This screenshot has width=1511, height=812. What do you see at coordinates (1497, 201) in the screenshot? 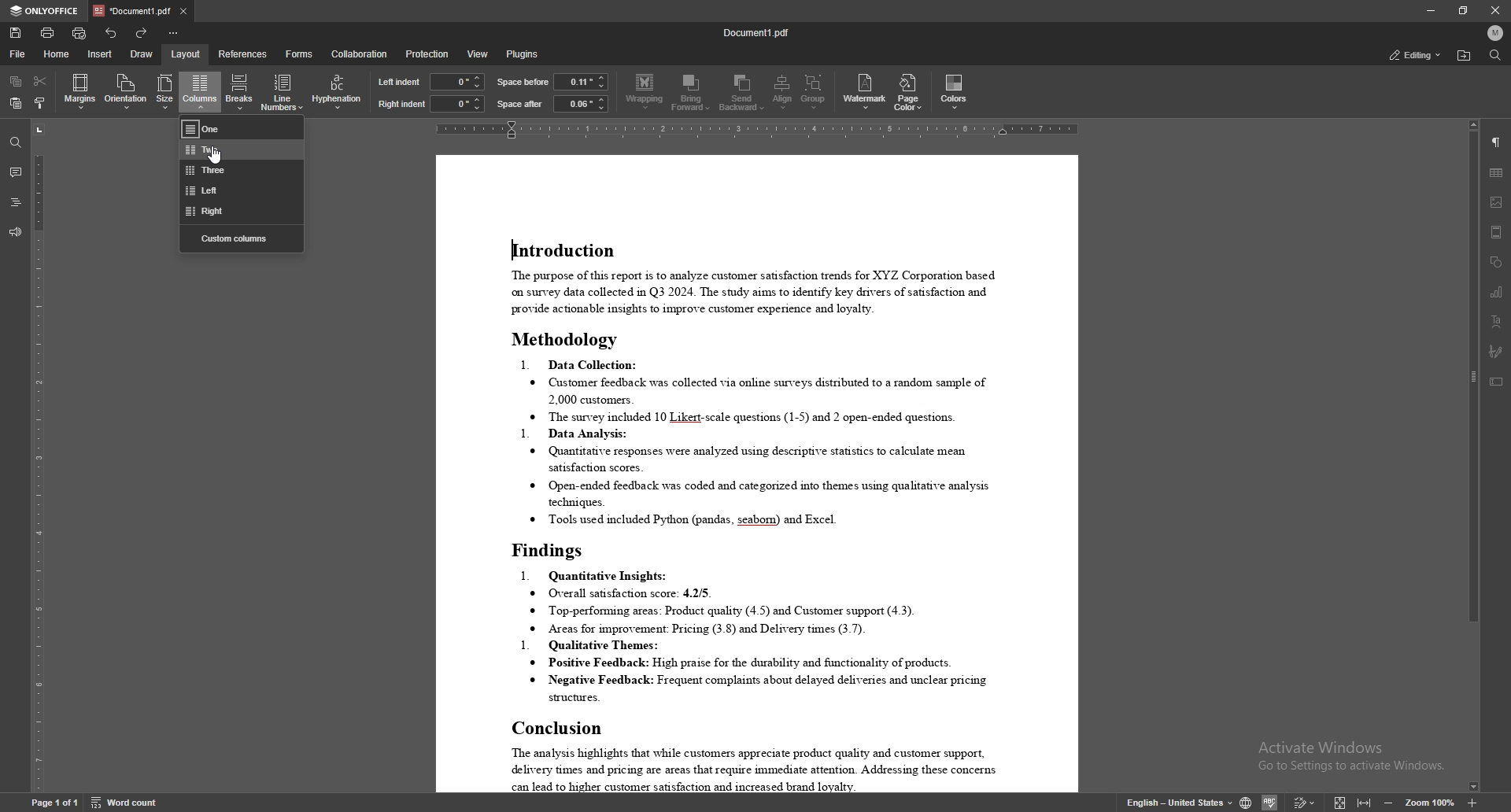
I see `image` at bounding box center [1497, 201].